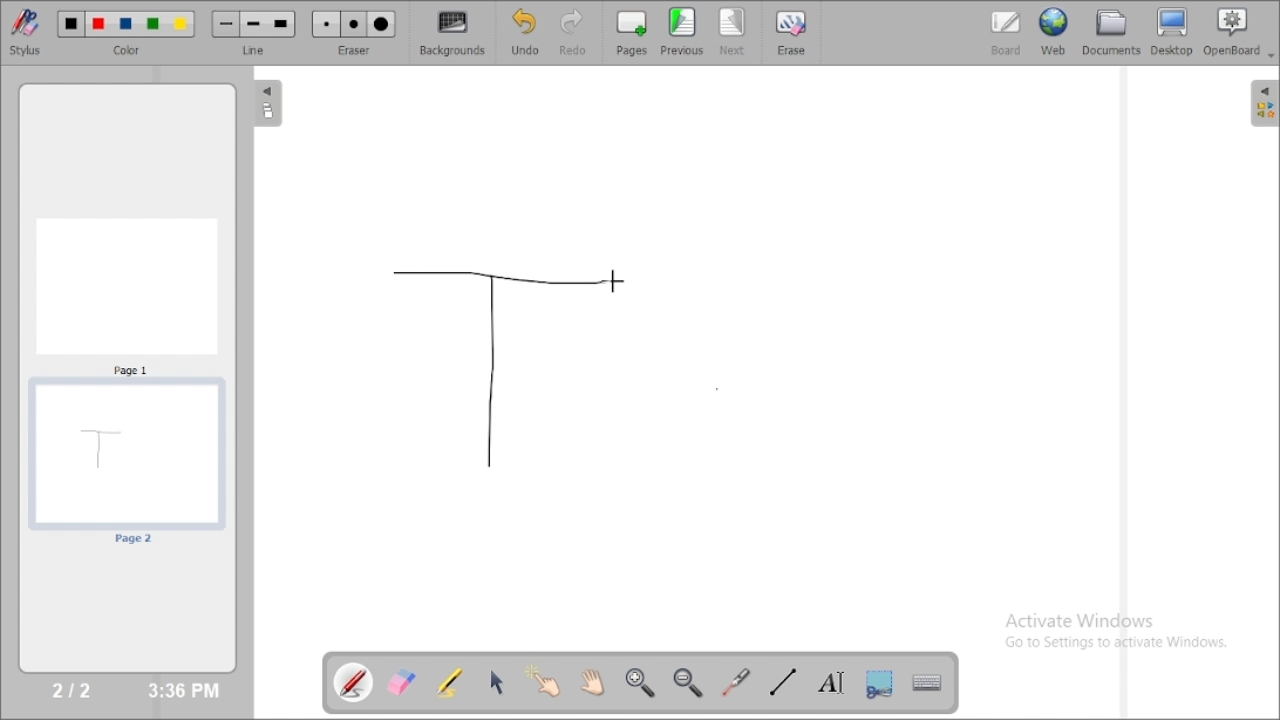 This screenshot has height=720, width=1280. What do you see at coordinates (255, 24) in the screenshot?
I see `Medium line` at bounding box center [255, 24].